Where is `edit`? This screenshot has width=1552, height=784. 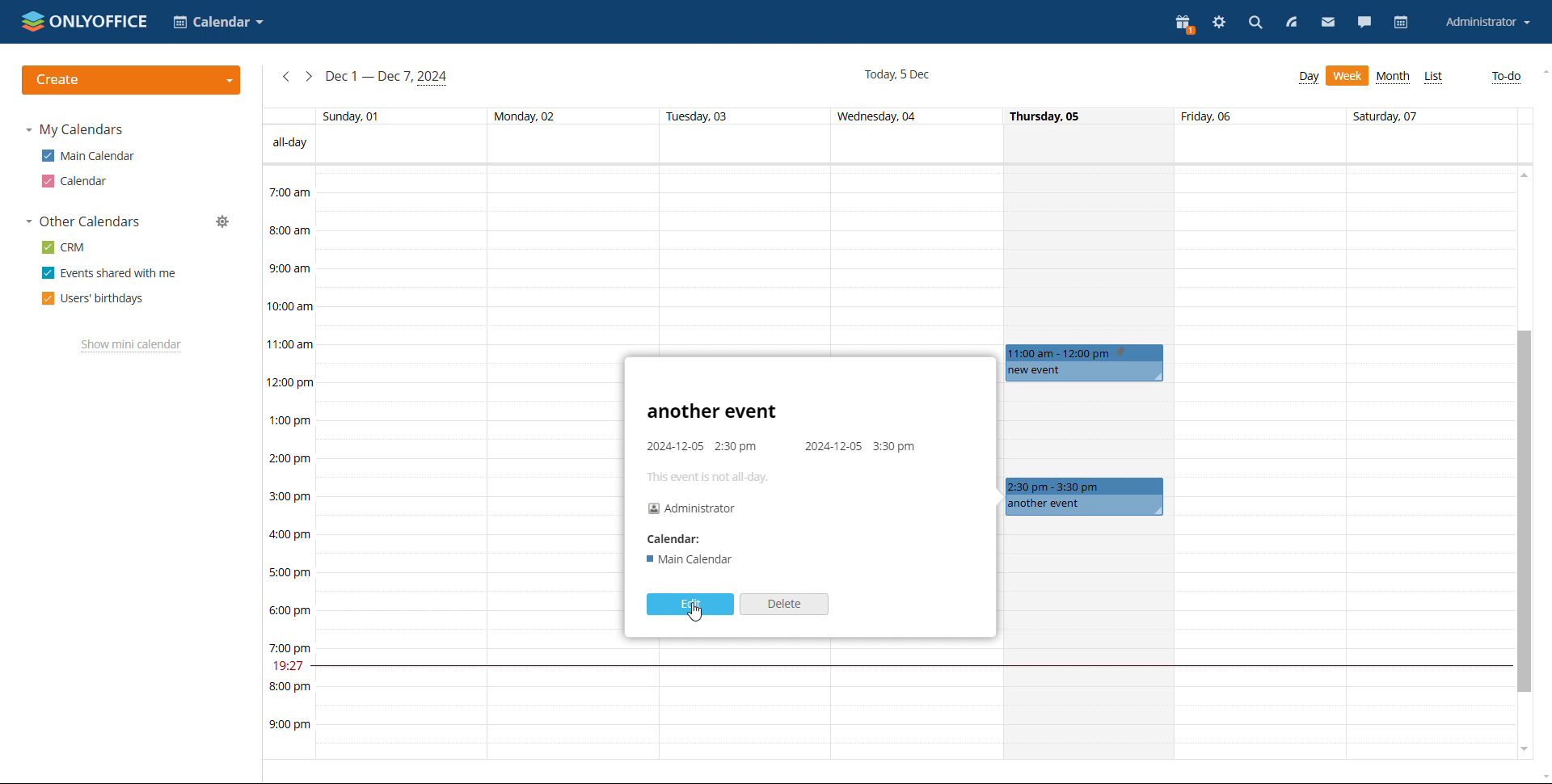
edit is located at coordinates (690, 605).